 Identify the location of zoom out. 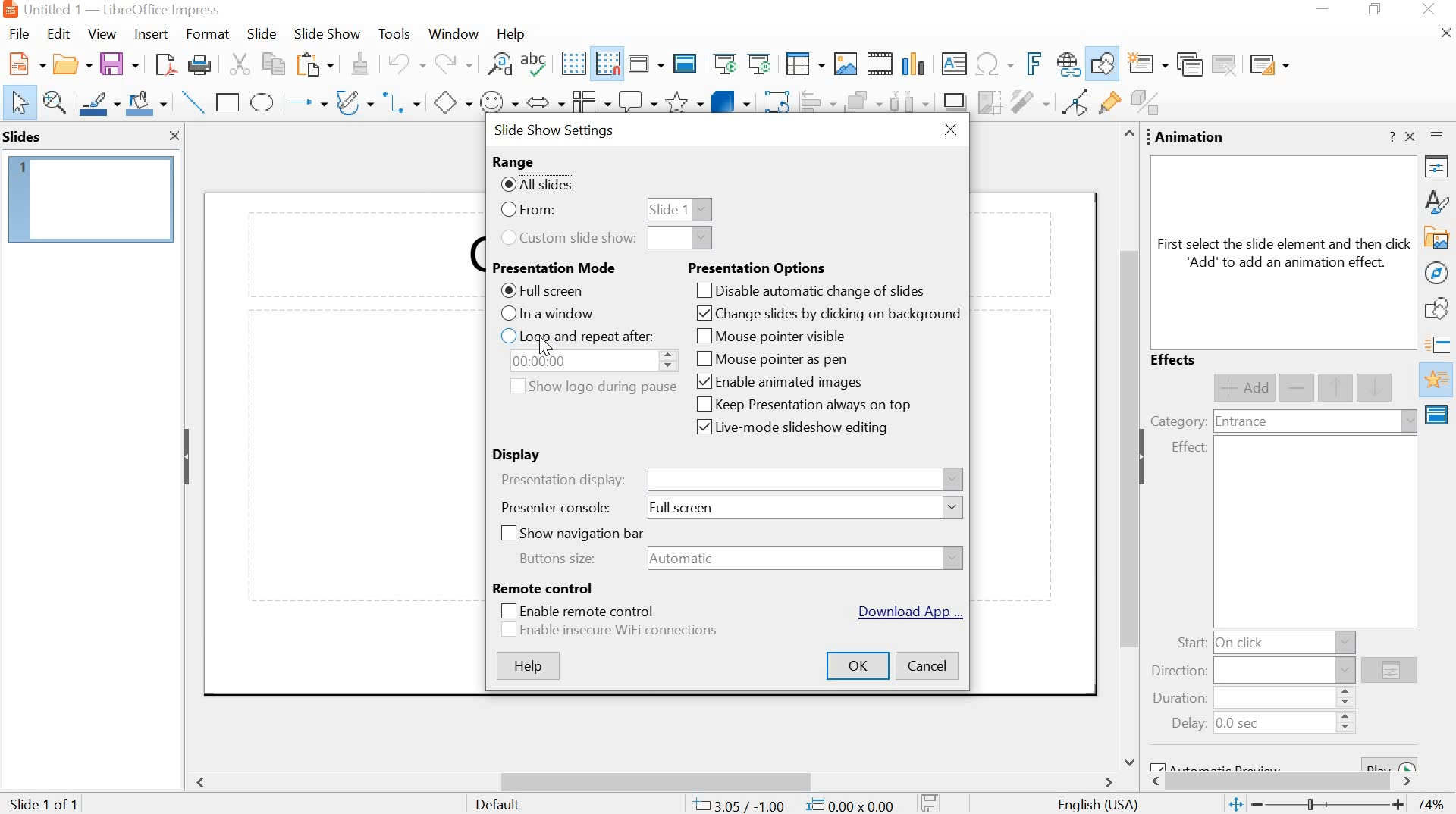
(1259, 805).